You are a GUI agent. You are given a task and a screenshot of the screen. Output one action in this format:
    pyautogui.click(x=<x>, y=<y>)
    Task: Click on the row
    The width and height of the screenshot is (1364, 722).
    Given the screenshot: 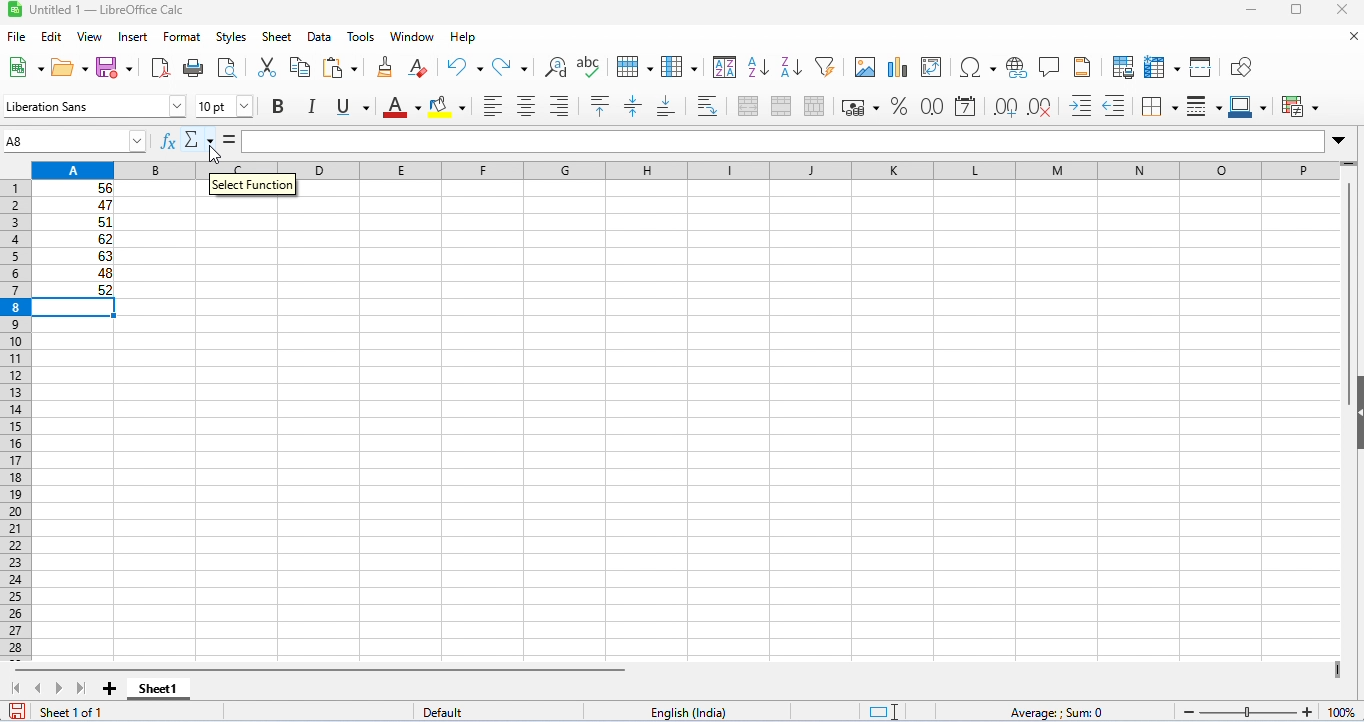 What is the action you would take?
    pyautogui.click(x=633, y=65)
    